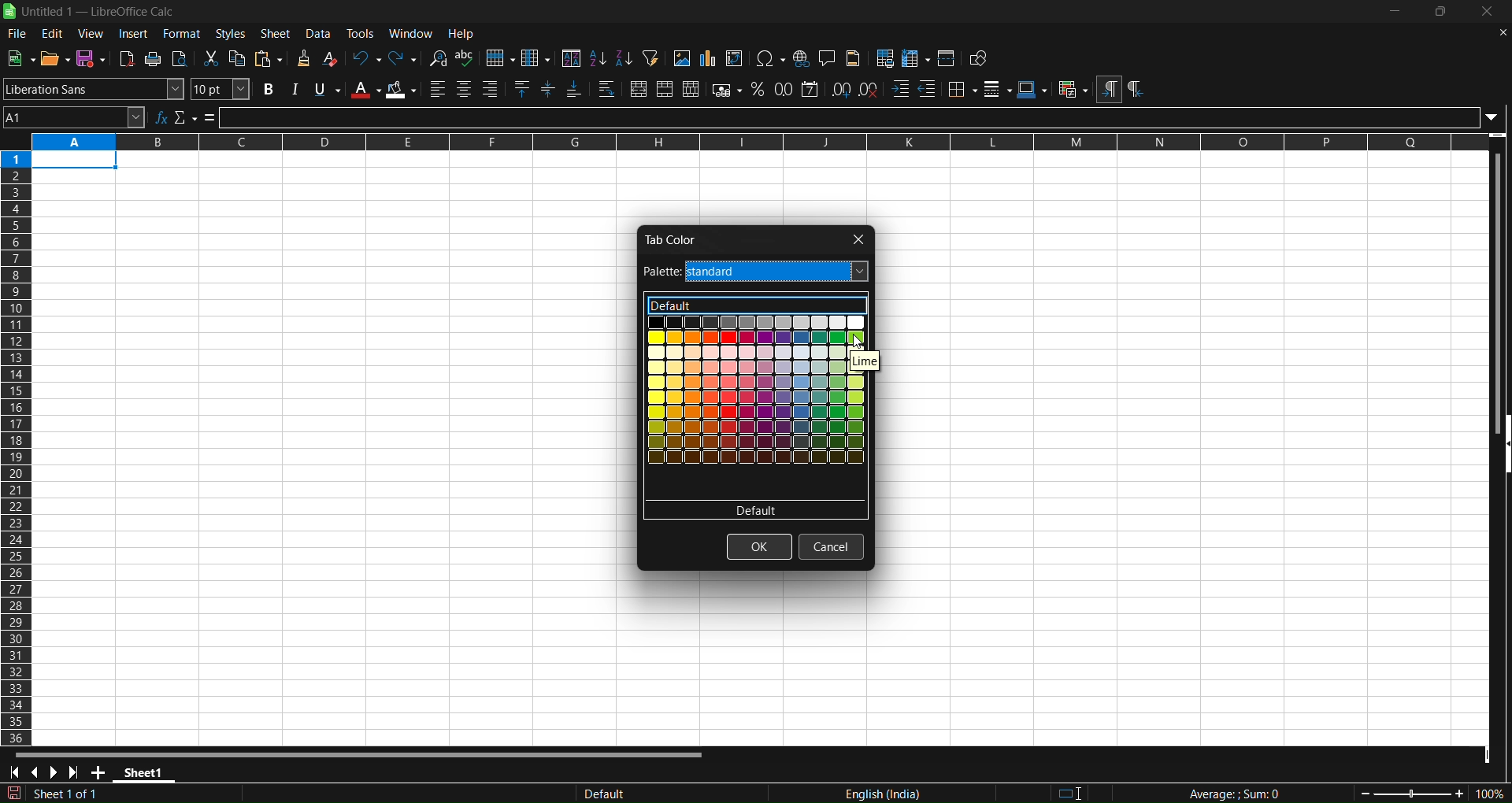  What do you see at coordinates (856, 239) in the screenshot?
I see `close` at bounding box center [856, 239].